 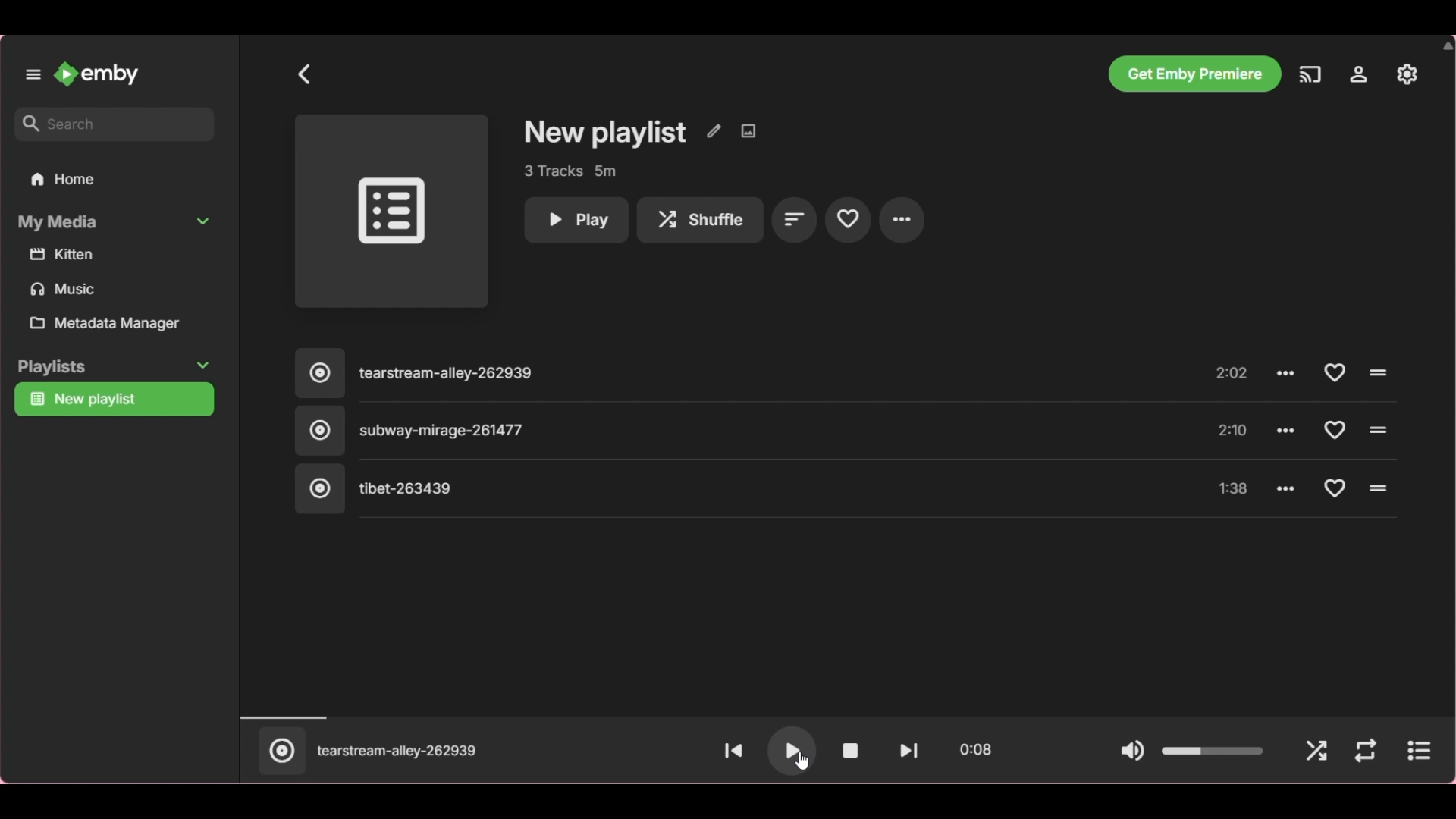 What do you see at coordinates (114, 400) in the screenshot?
I see `Current playlist highlighted` at bounding box center [114, 400].